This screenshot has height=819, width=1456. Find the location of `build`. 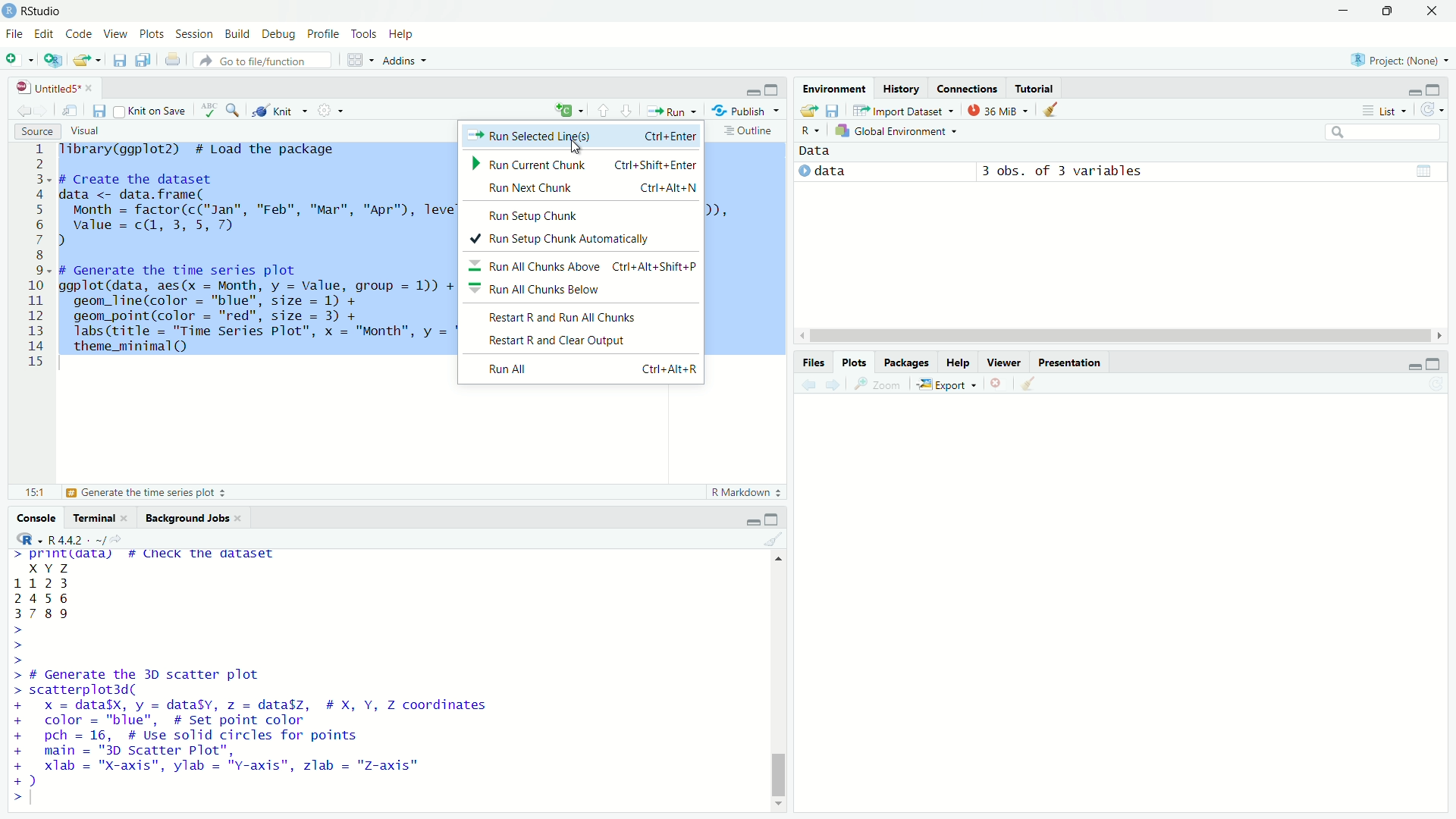

build is located at coordinates (239, 33).